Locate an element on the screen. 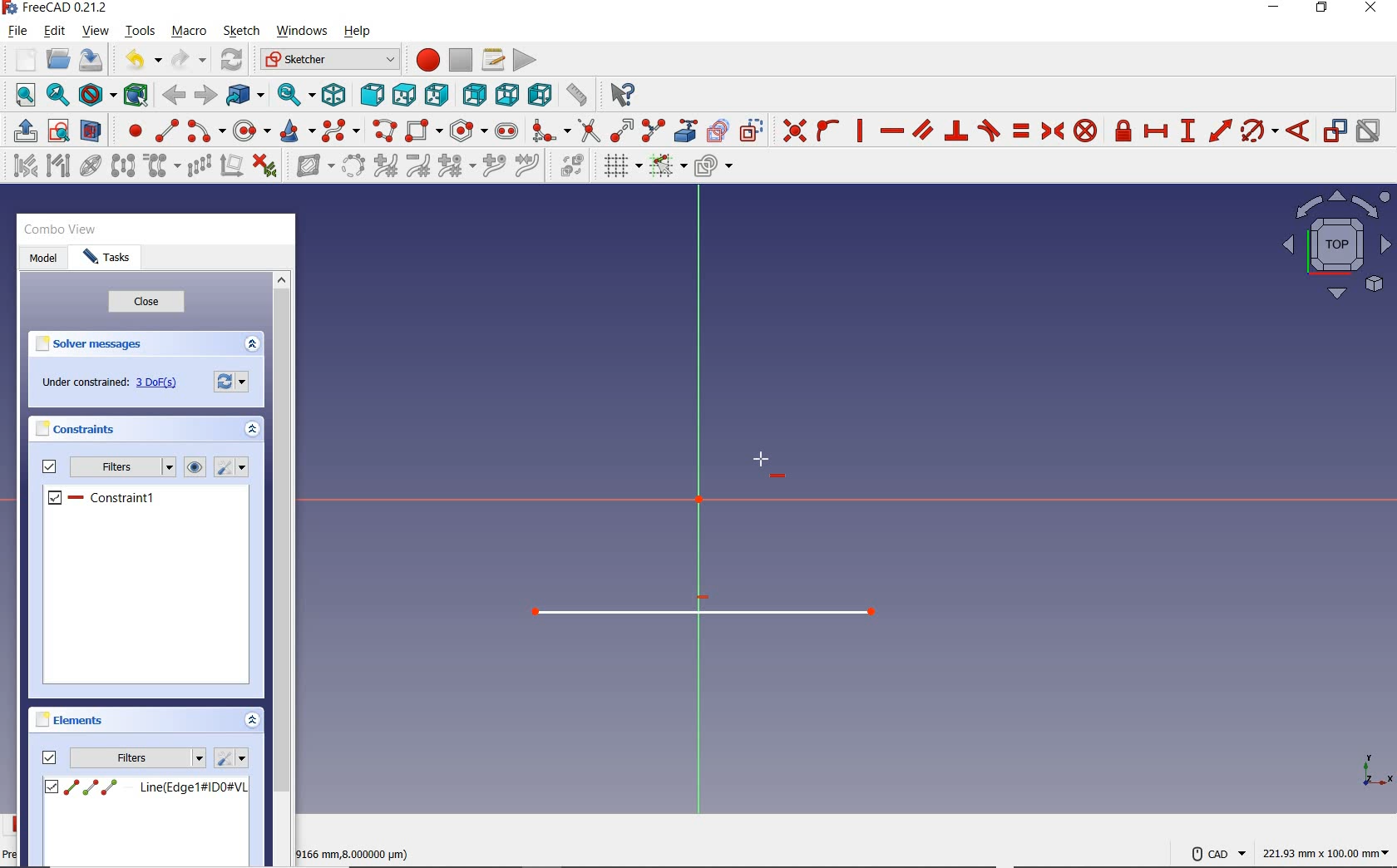 Image resolution: width=1397 pixels, height=868 pixels. FILE is located at coordinates (17, 32).